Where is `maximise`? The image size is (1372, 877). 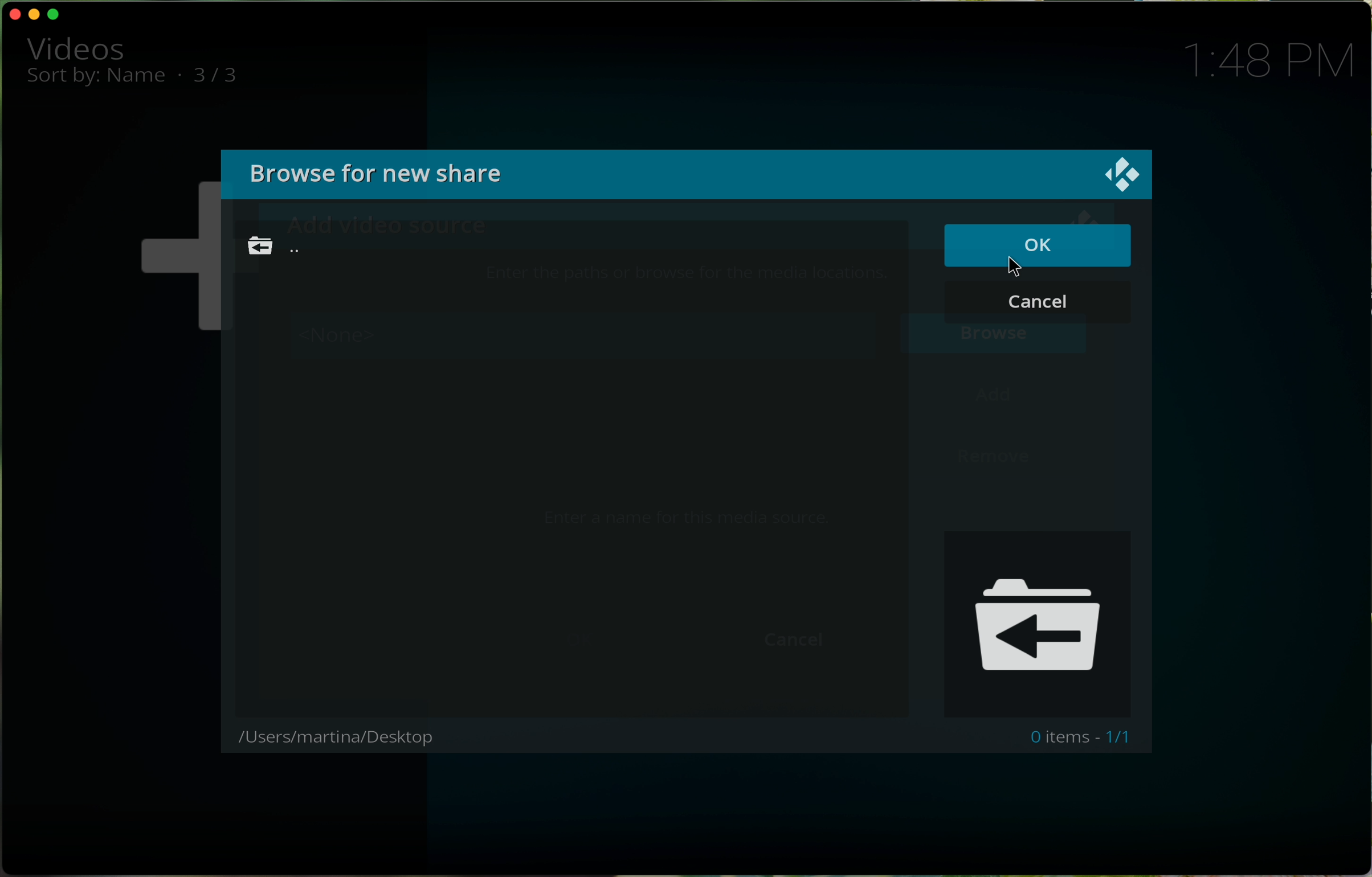
maximise is located at coordinates (57, 15).